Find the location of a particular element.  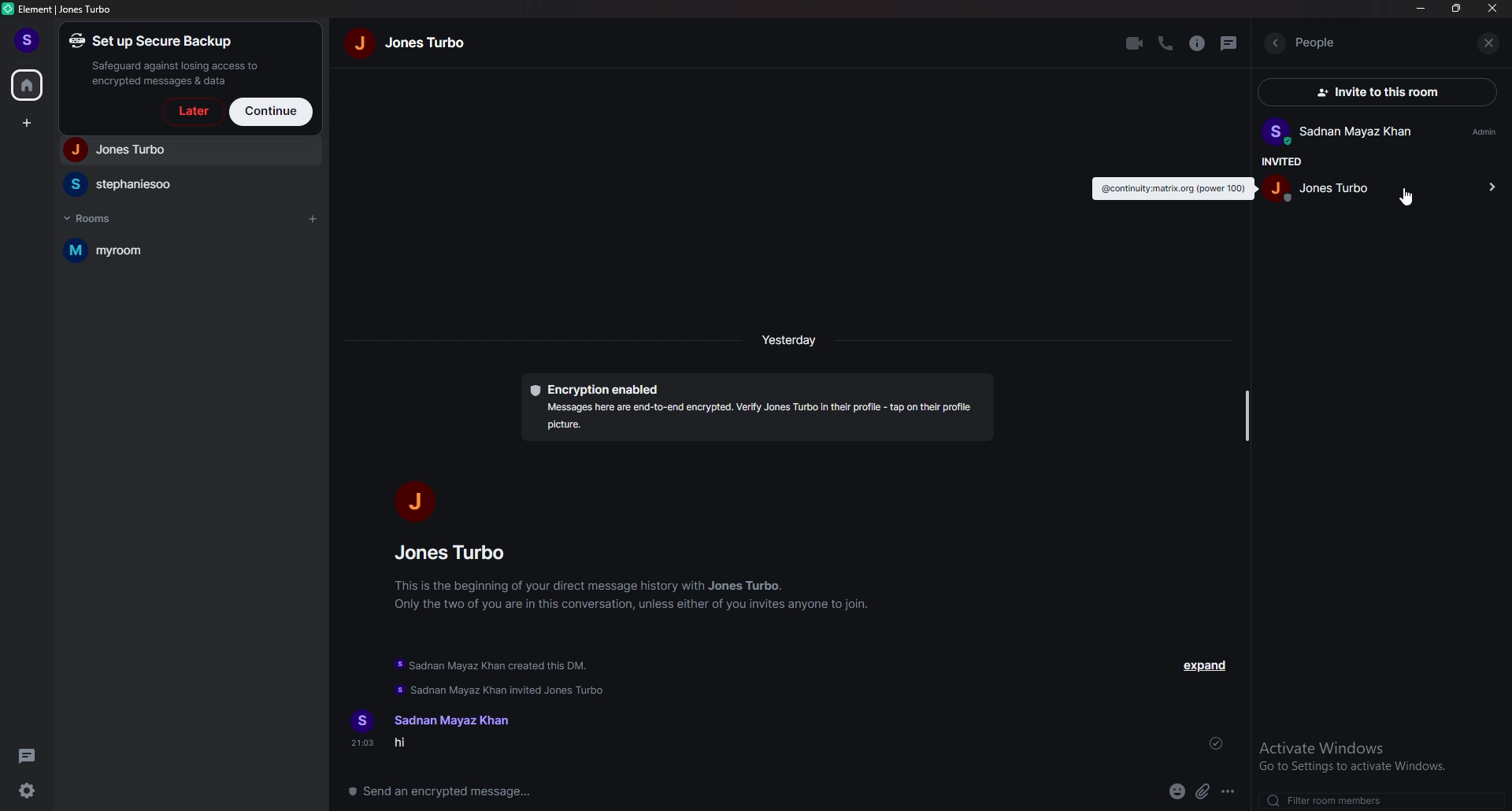

message is located at coordinates (444, 745).